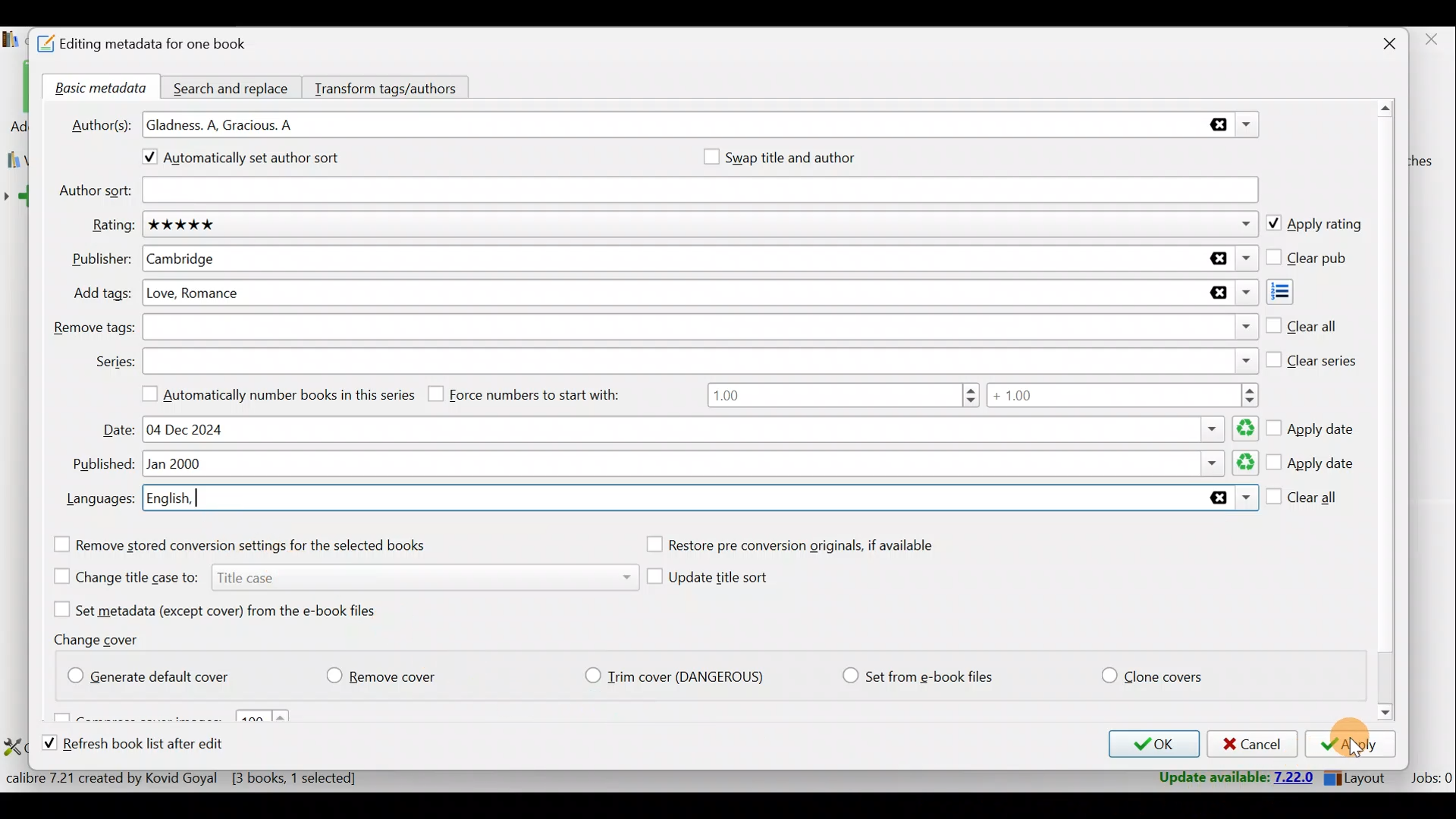 This screenshot has width=1456, height=819. What do you see at coordinates (1313, 357) in the screenshot?
I see `Clear series` at bounding box center [1313, 357].